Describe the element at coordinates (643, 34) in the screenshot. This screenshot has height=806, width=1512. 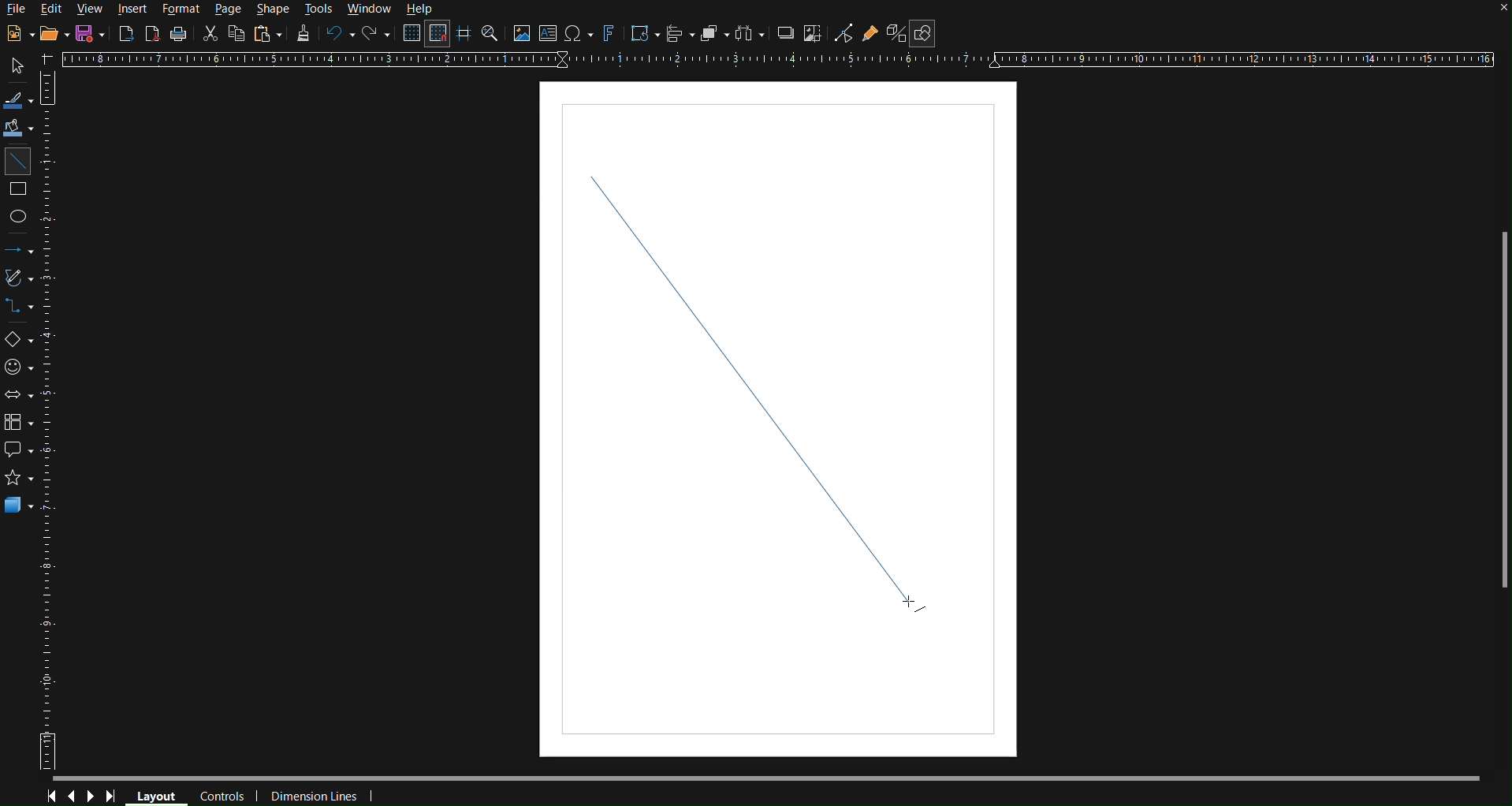
I see `Transformations` at that location.